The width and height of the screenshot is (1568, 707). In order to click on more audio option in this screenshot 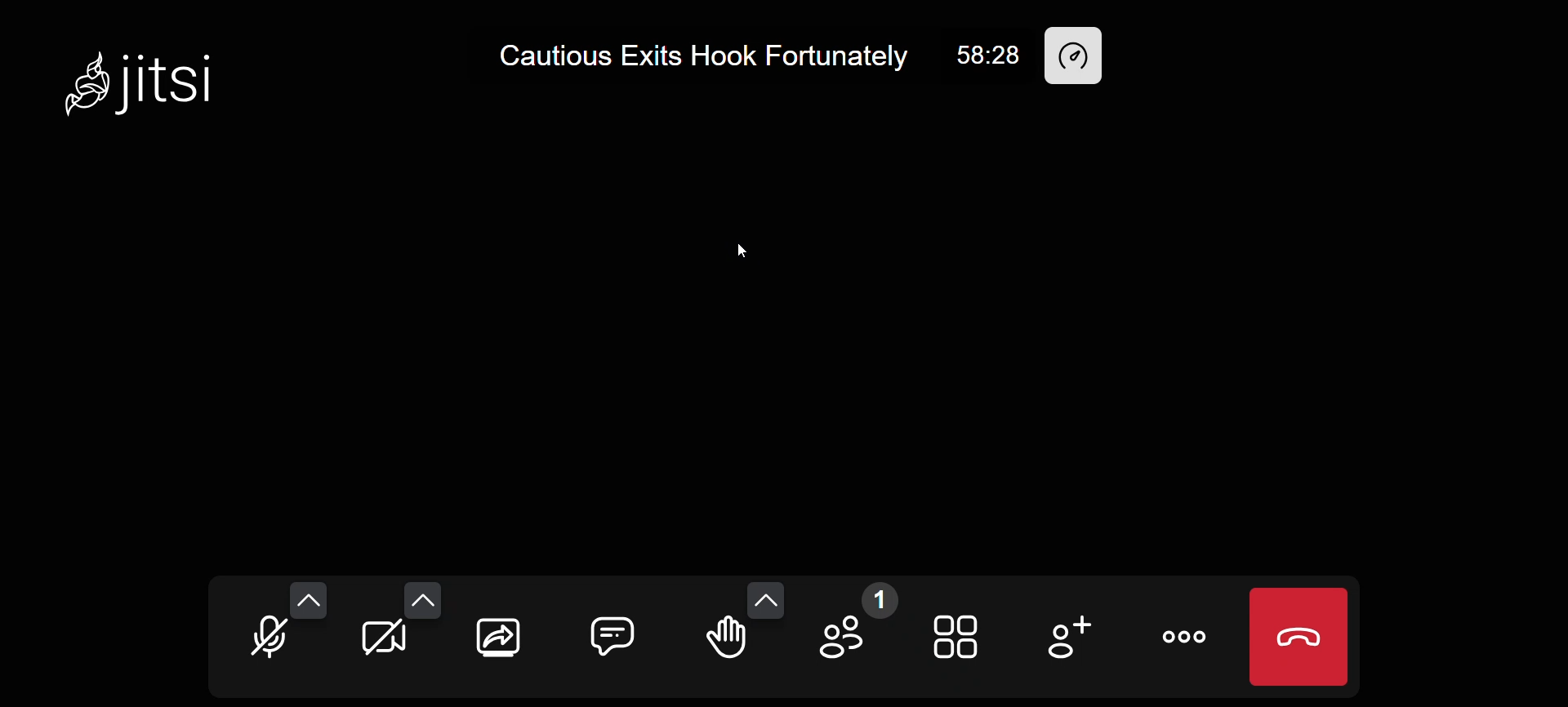, I will do `click(310, 600)`.